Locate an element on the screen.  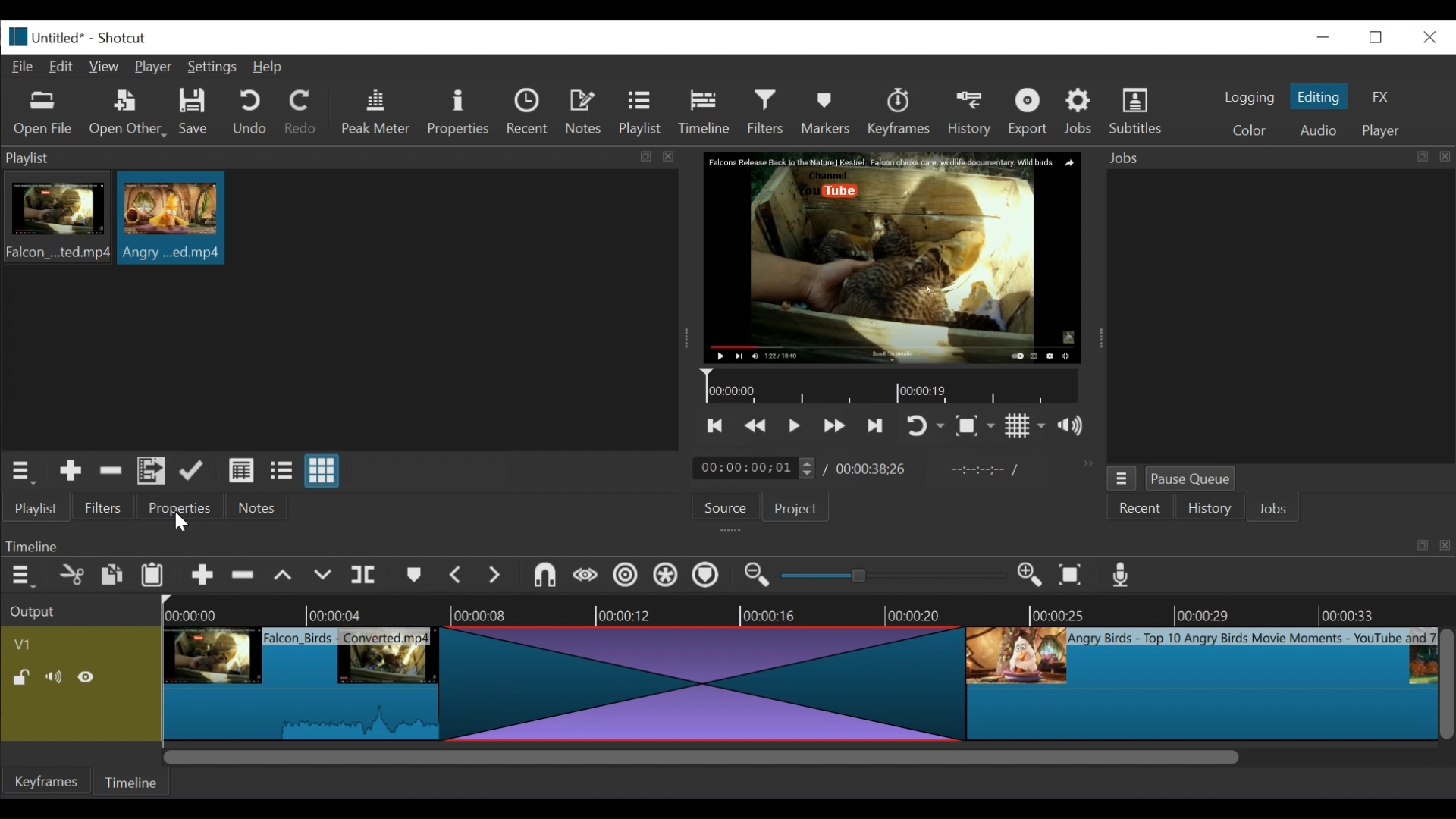
(un)lock track is located at coordinates (21, 677).